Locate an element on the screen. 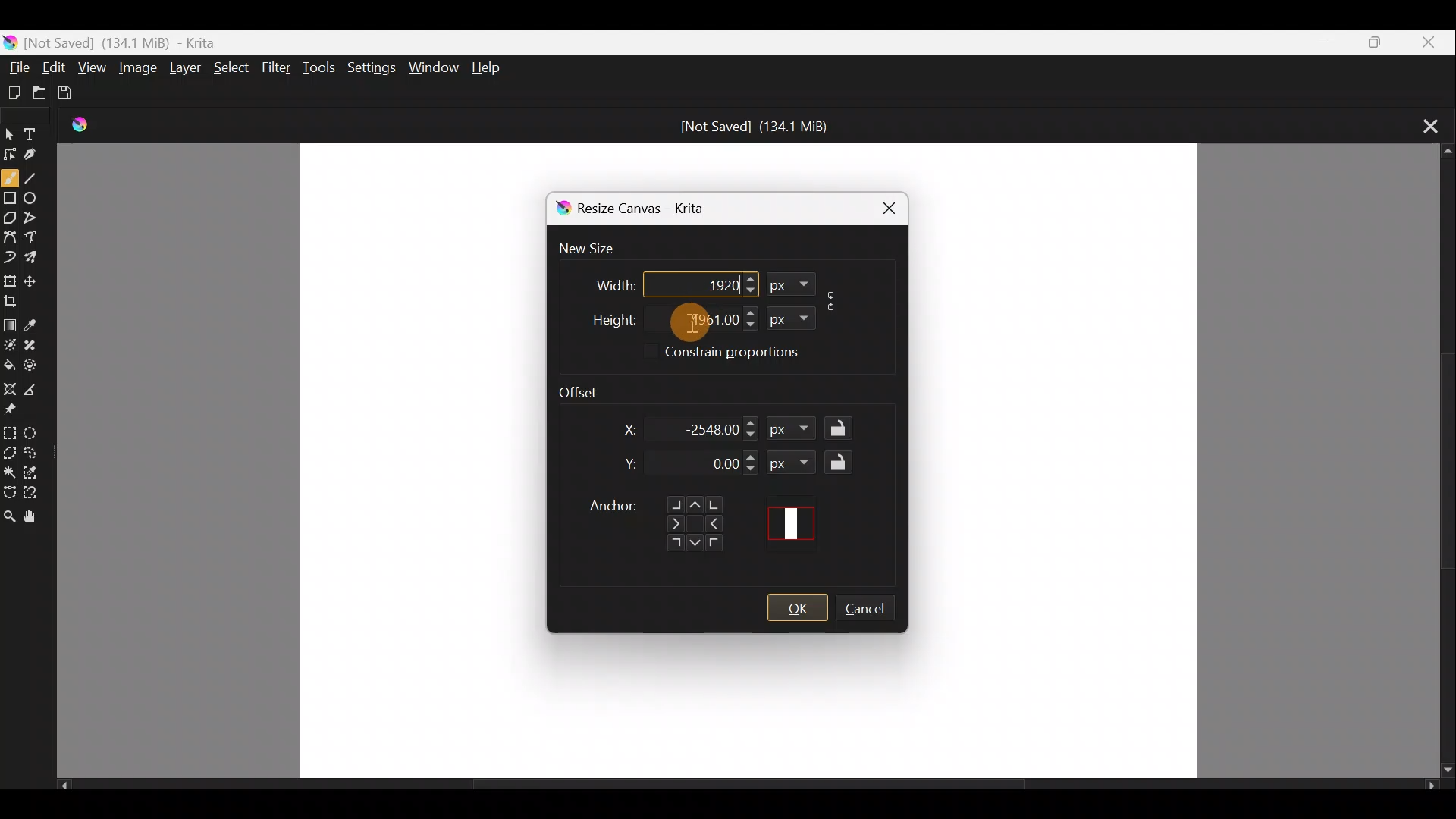 The height and width of the screenshot is (819, 1456). Rectangle tool is located at coordinates (11, 200).